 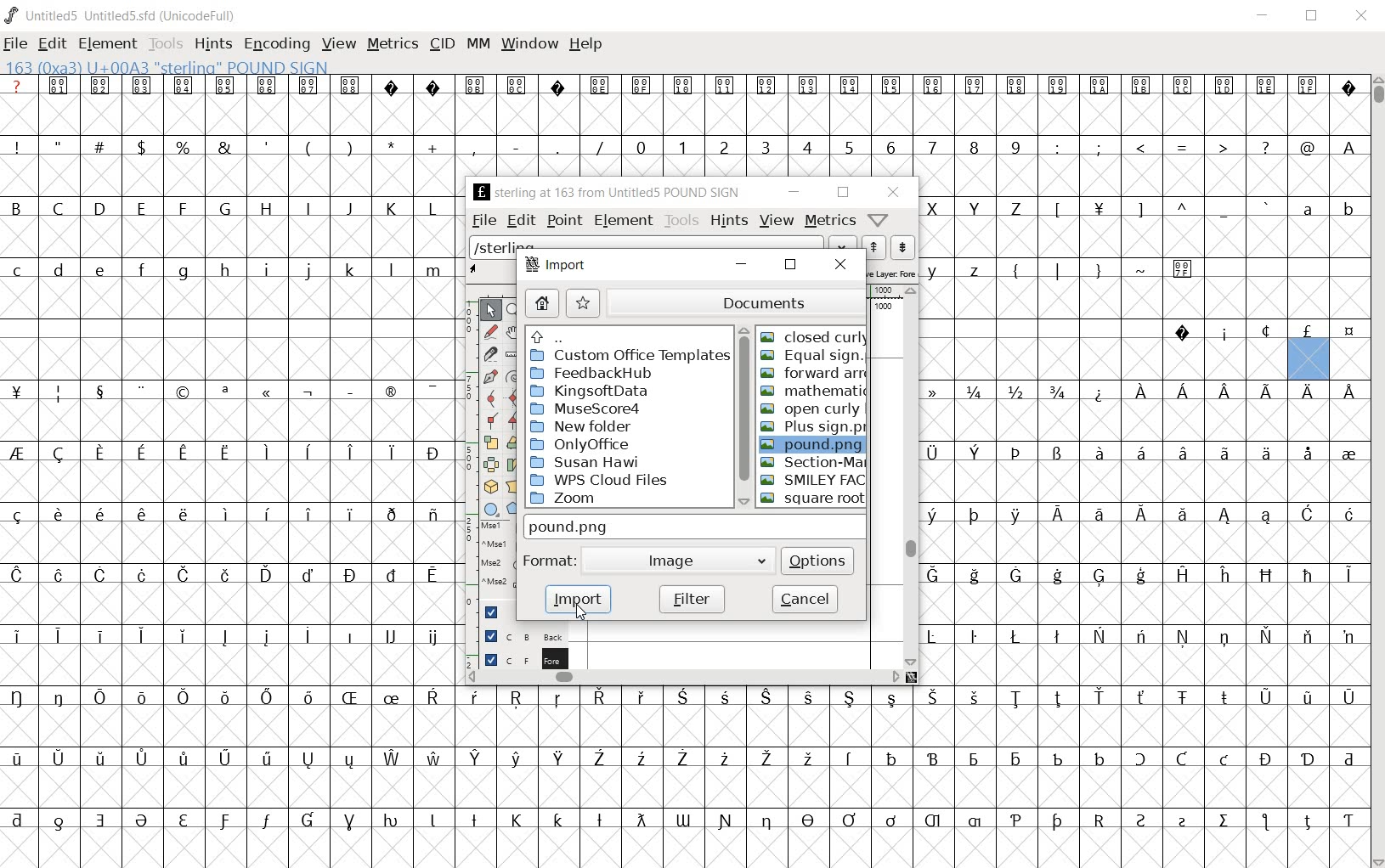 I want to click on *, so click(x=393, y=145).